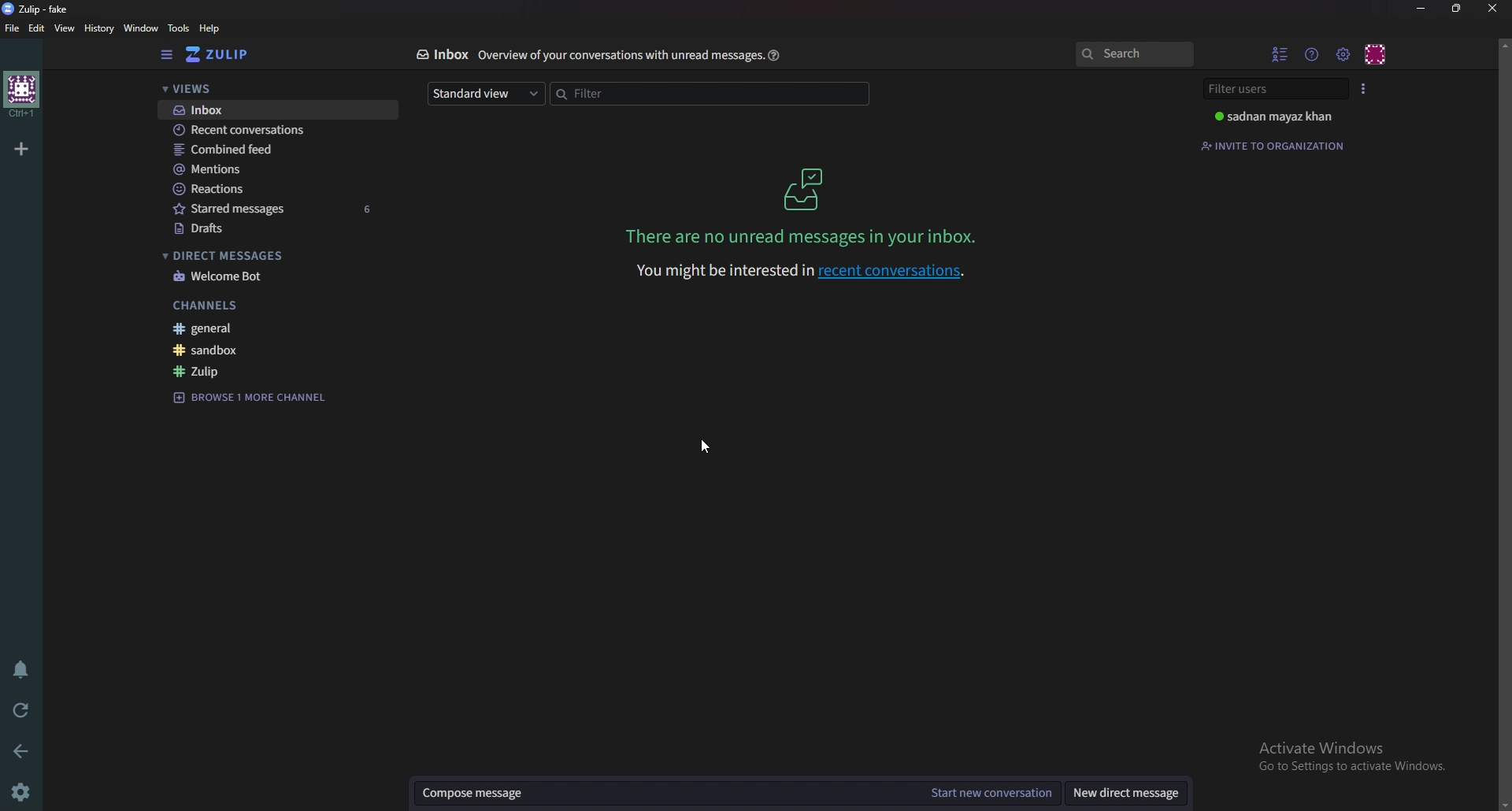  What do you see at coordinates (444, 55) in the screenshot?
I see `Inbox` at bounding box center [444, 55].